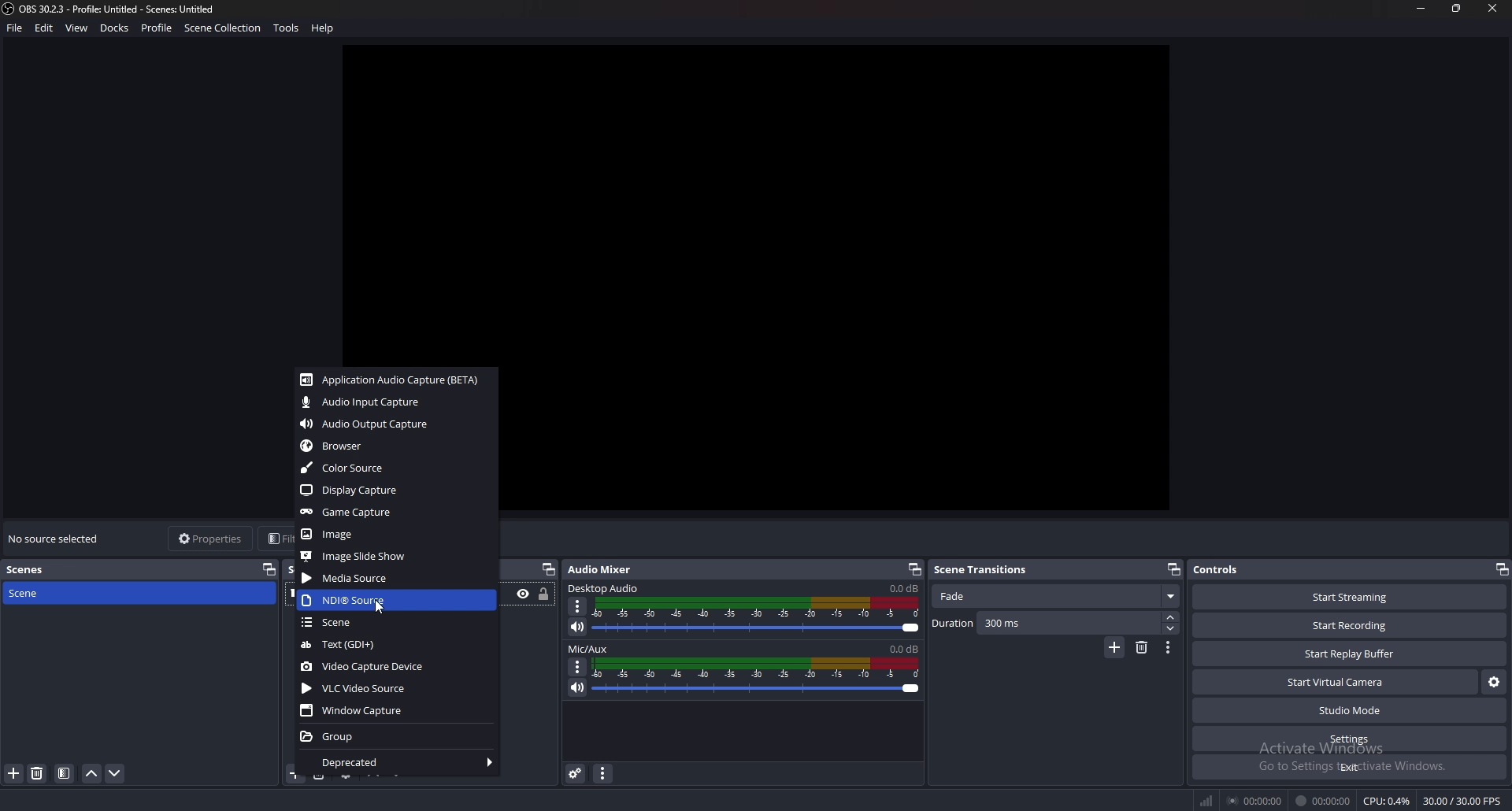 The image size is (1512, 811). What do you see at coordinates (117, 28) in the screenshot?
I see `docks` at bounding box center [117, 28].